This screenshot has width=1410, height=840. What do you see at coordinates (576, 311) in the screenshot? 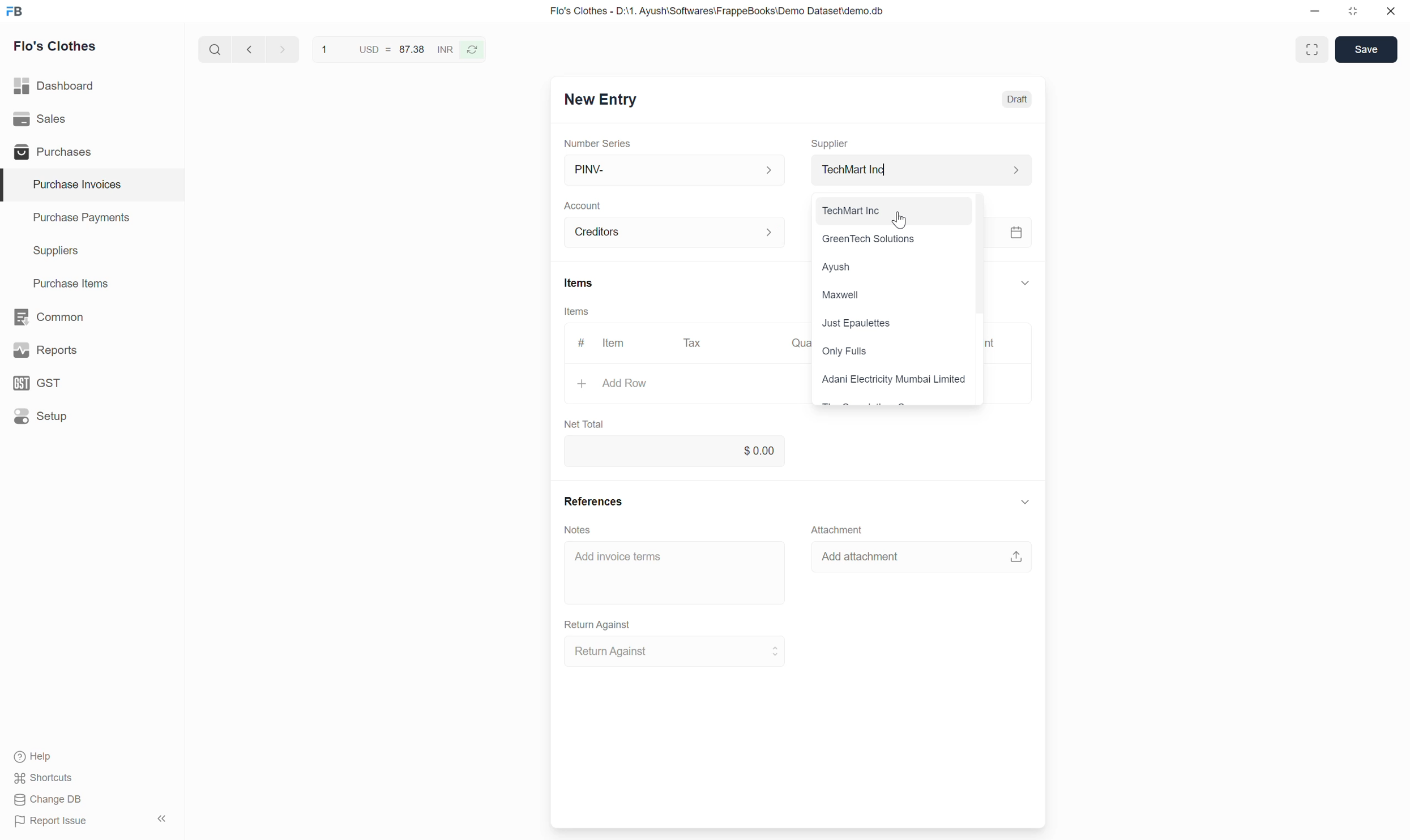
I see `Items` at bounding box center [576, 311].